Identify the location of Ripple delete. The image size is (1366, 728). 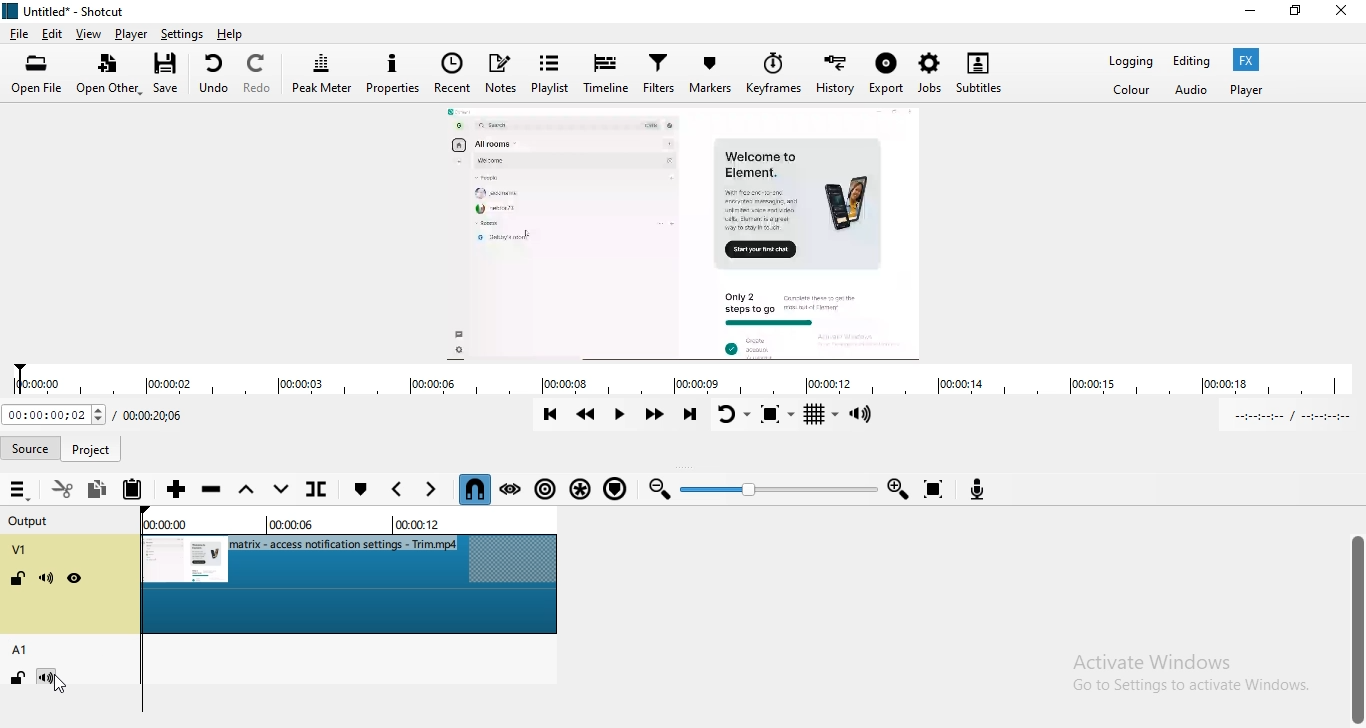
(212, 491).